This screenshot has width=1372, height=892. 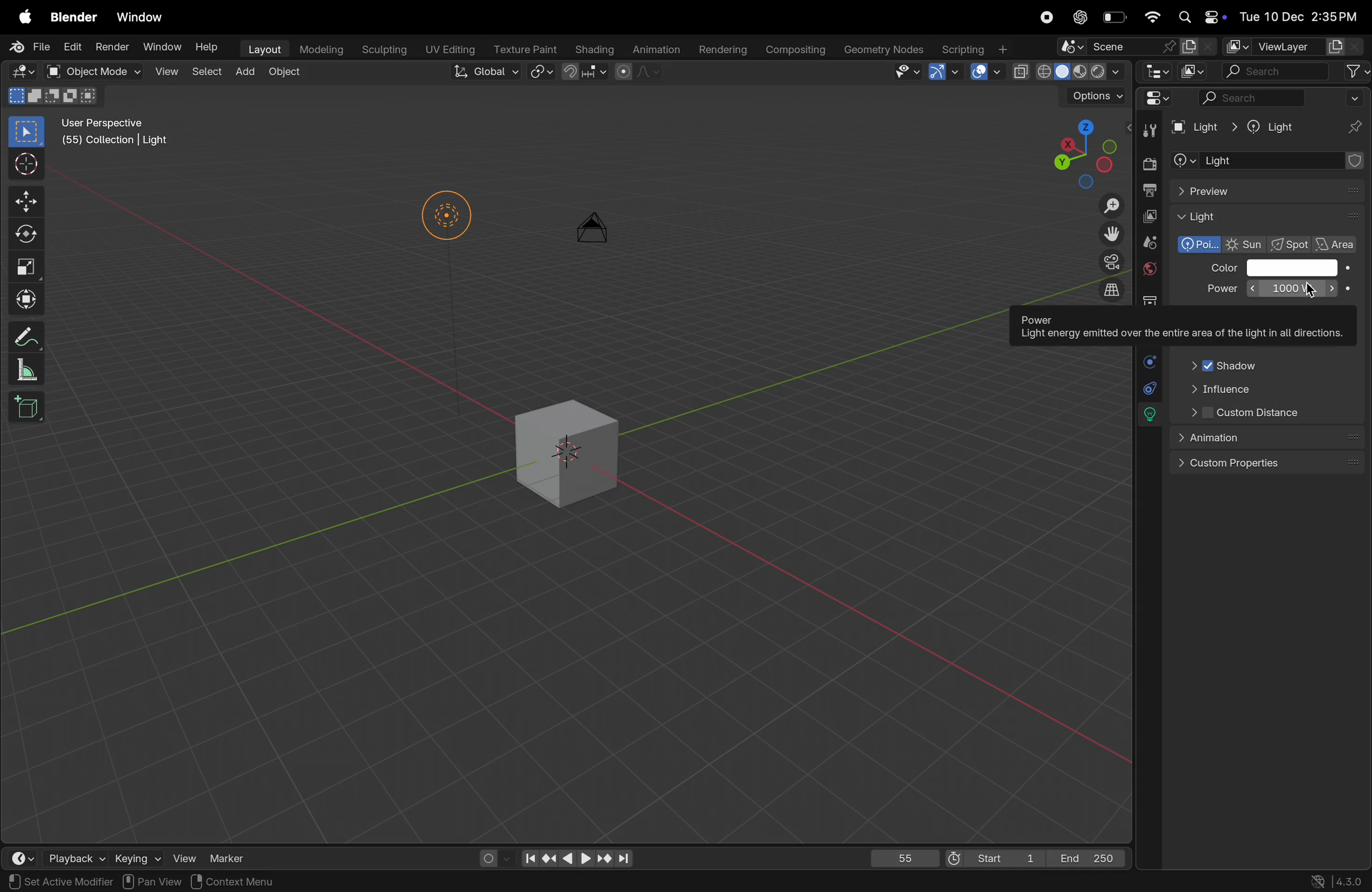 What do you see at coordinates (447, 219) in the screenshot?
I see `Lights` at bounding box center [447, 219].